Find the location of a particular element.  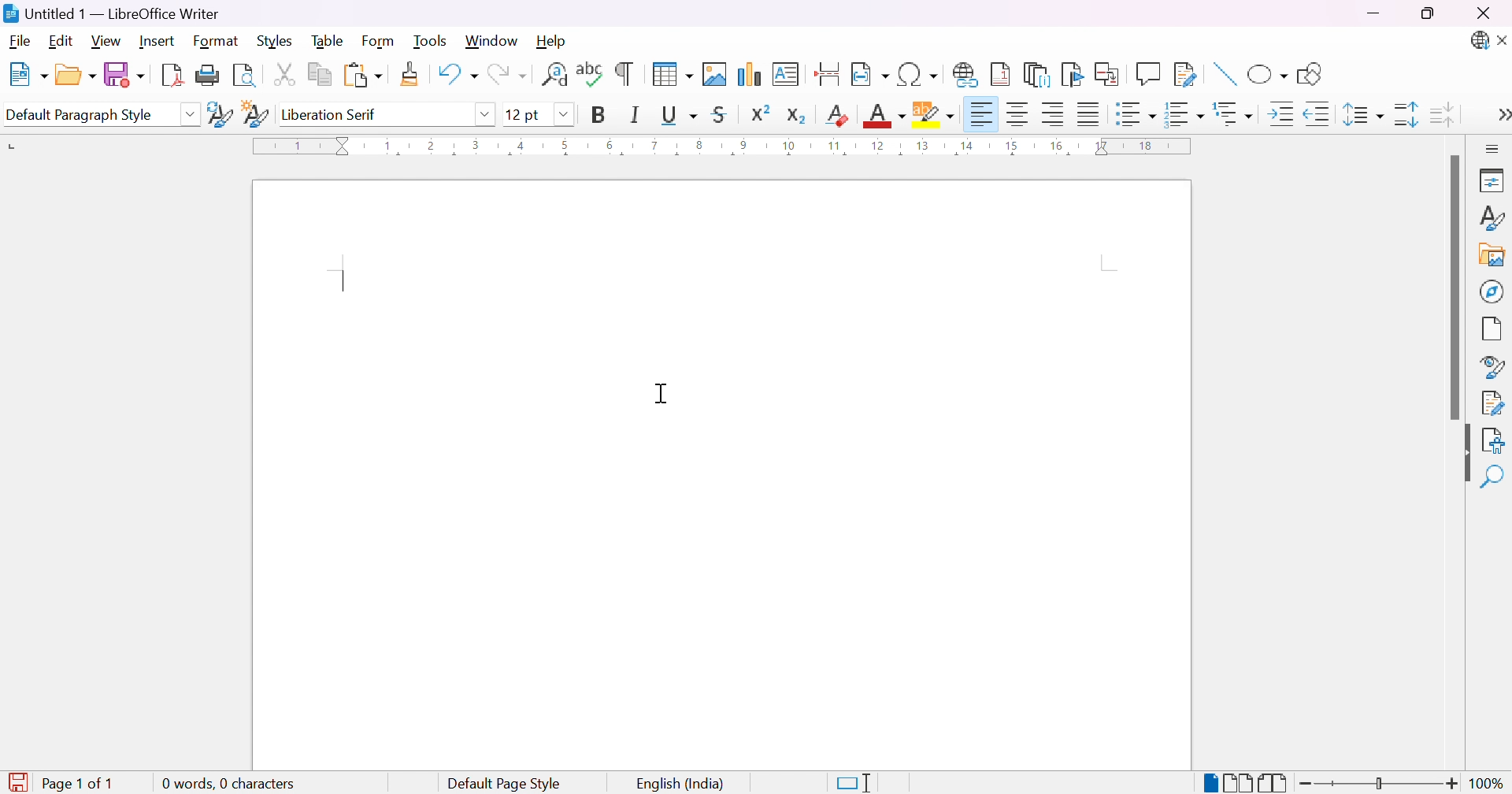

View is located at coordinates (108, 40).